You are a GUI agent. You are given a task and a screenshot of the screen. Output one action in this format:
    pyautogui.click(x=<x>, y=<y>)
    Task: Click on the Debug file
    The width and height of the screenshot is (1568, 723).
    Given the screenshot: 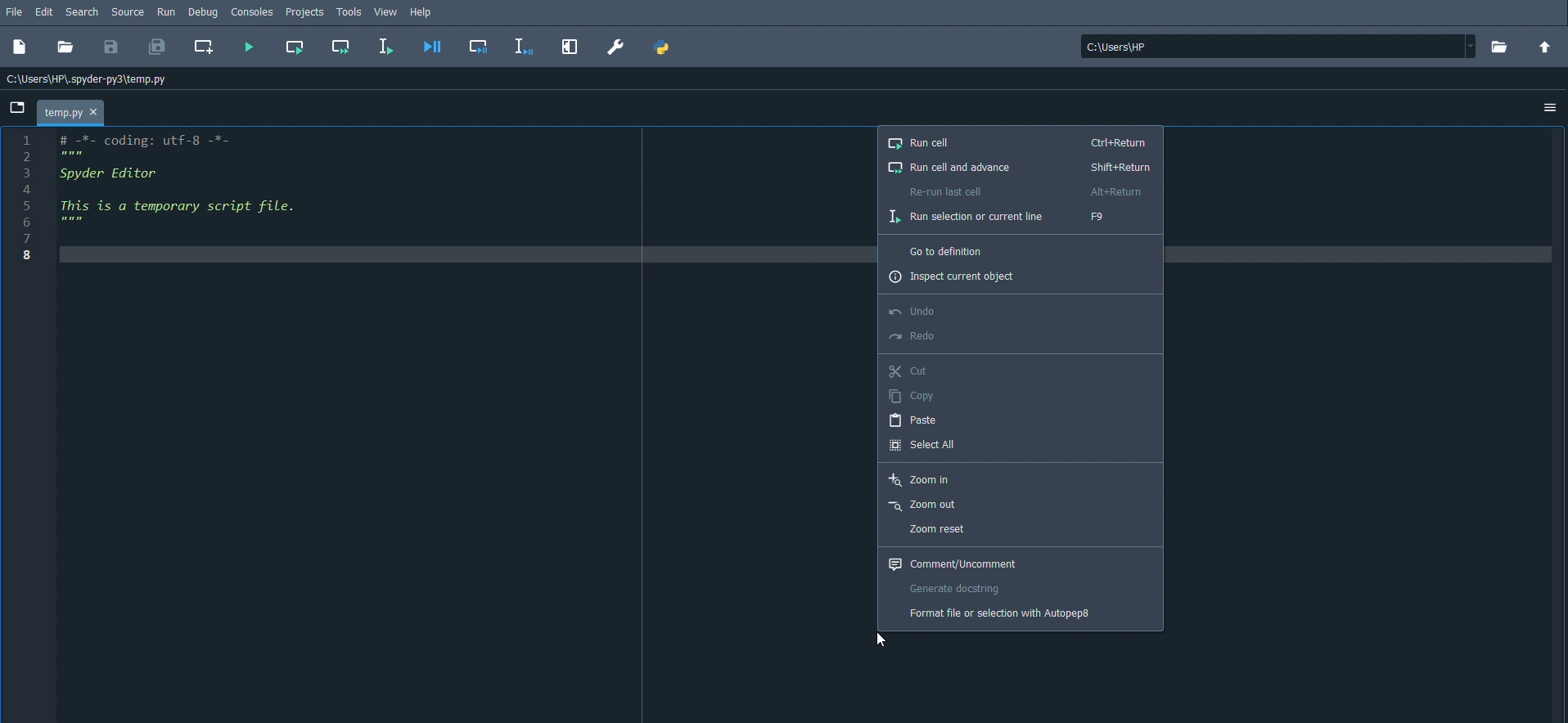 What is the action you would take?
    pyautogui.click(x=433, y=46)
    